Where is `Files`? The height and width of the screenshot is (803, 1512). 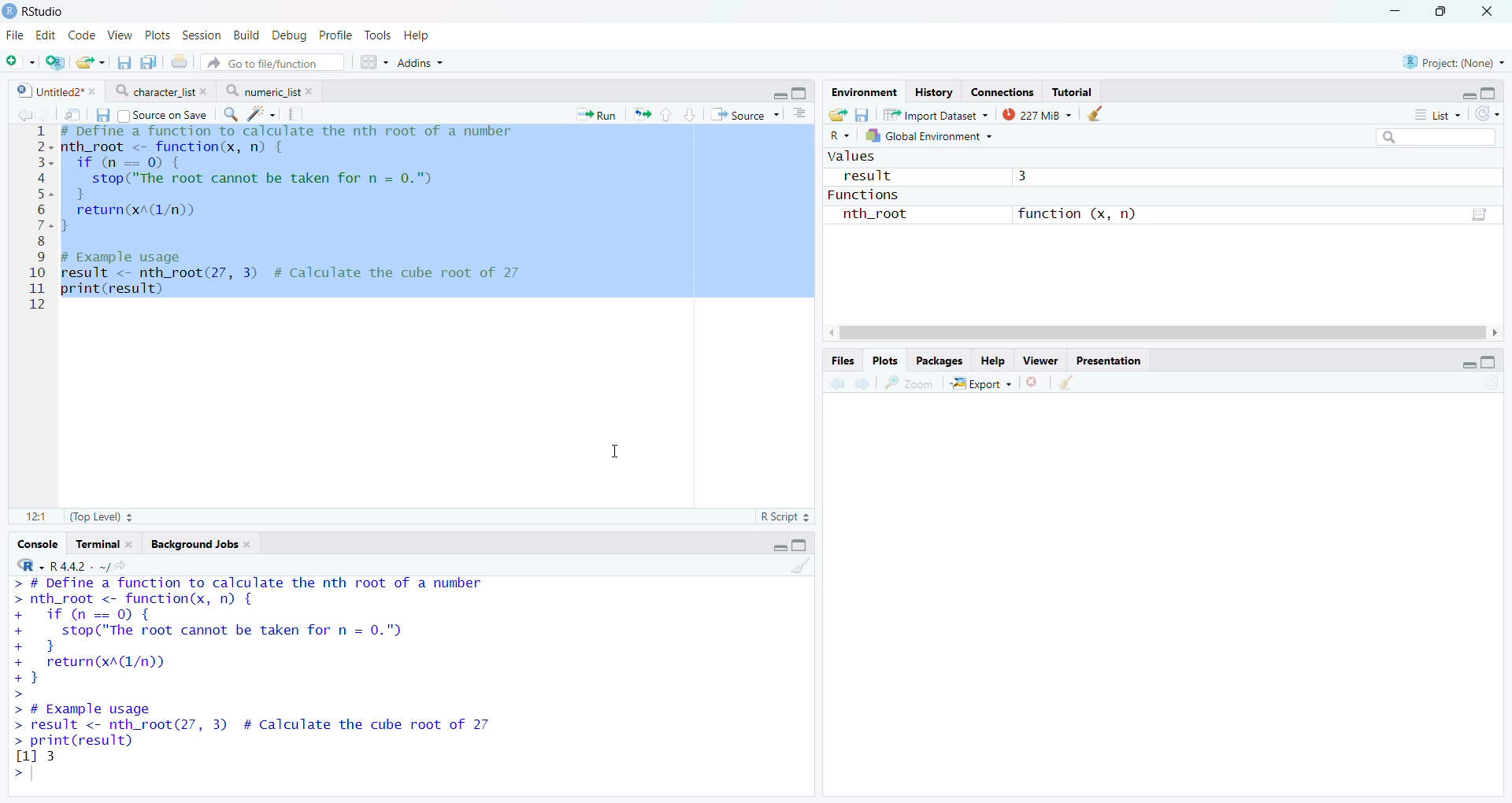
Files is located at coordinates (842, 360).